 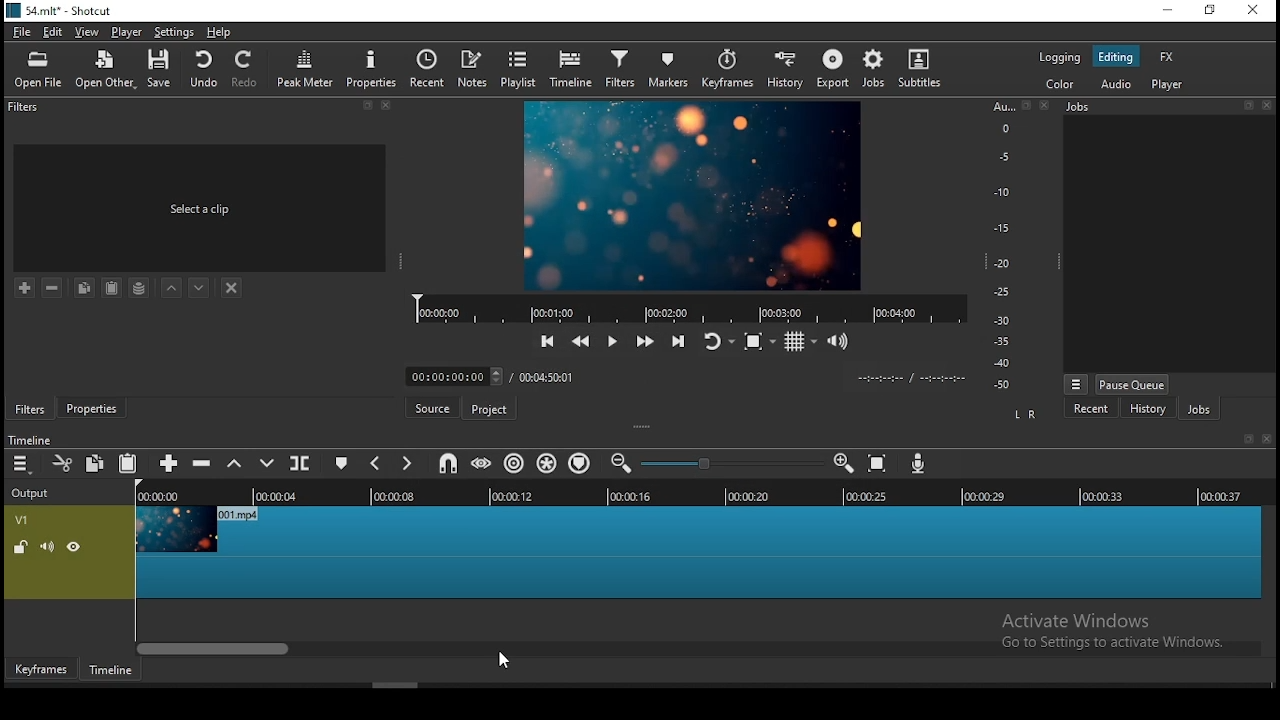 I want to click on jobs, so click(x=1199, y=410).